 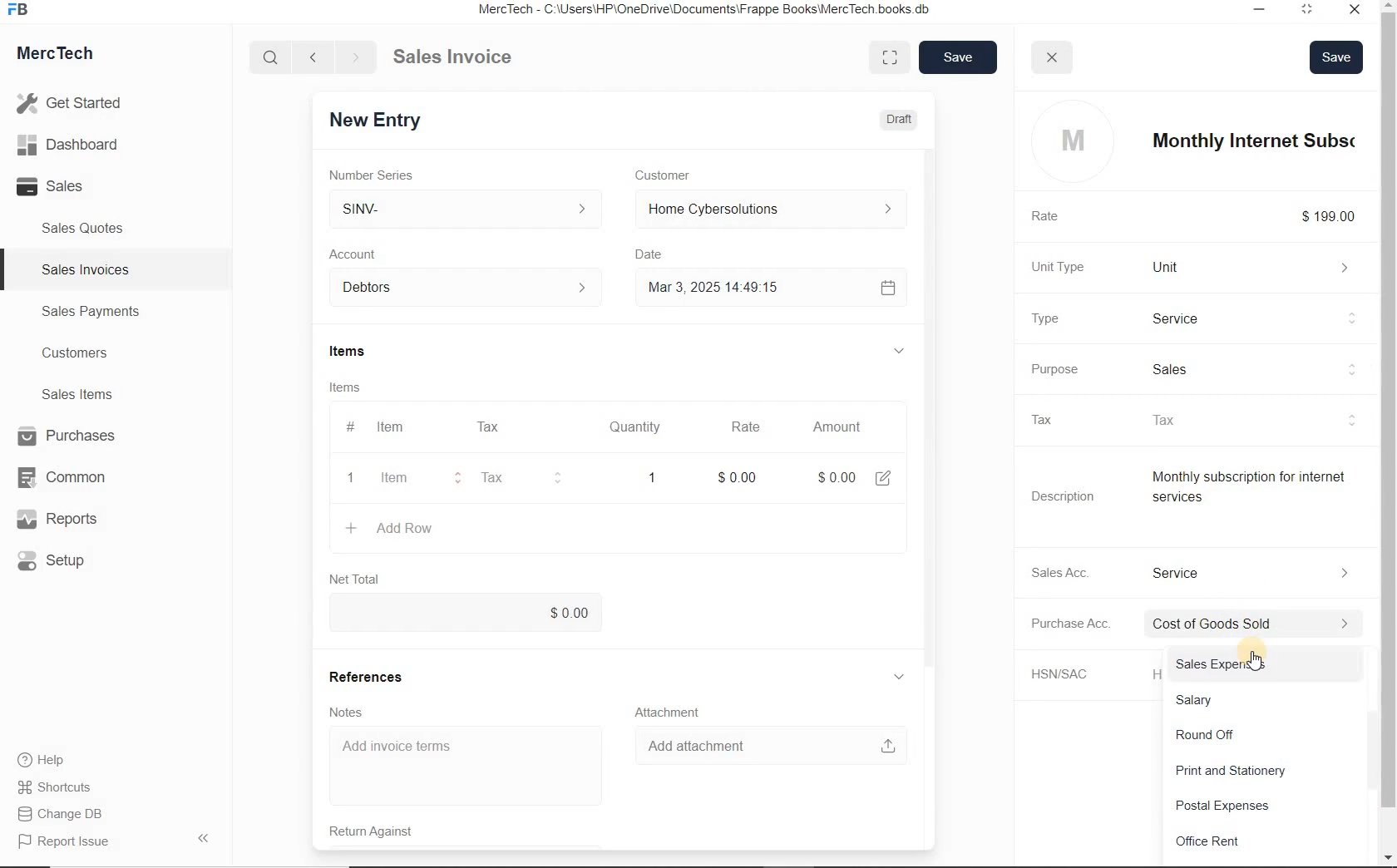 I want to click on sales, so click(x=1267, y=367).